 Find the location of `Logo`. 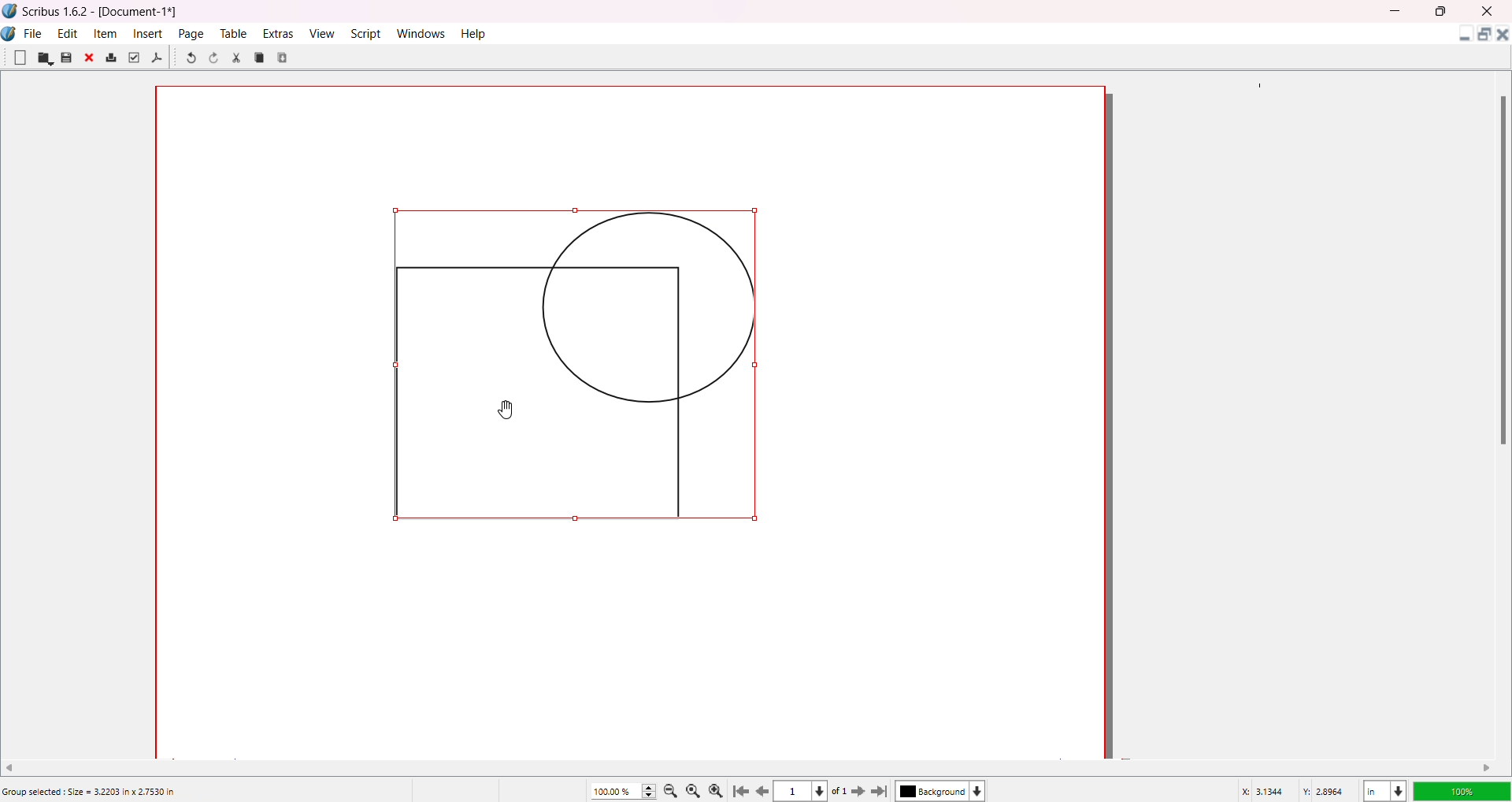

Logo is located at coordinates (11, 34).